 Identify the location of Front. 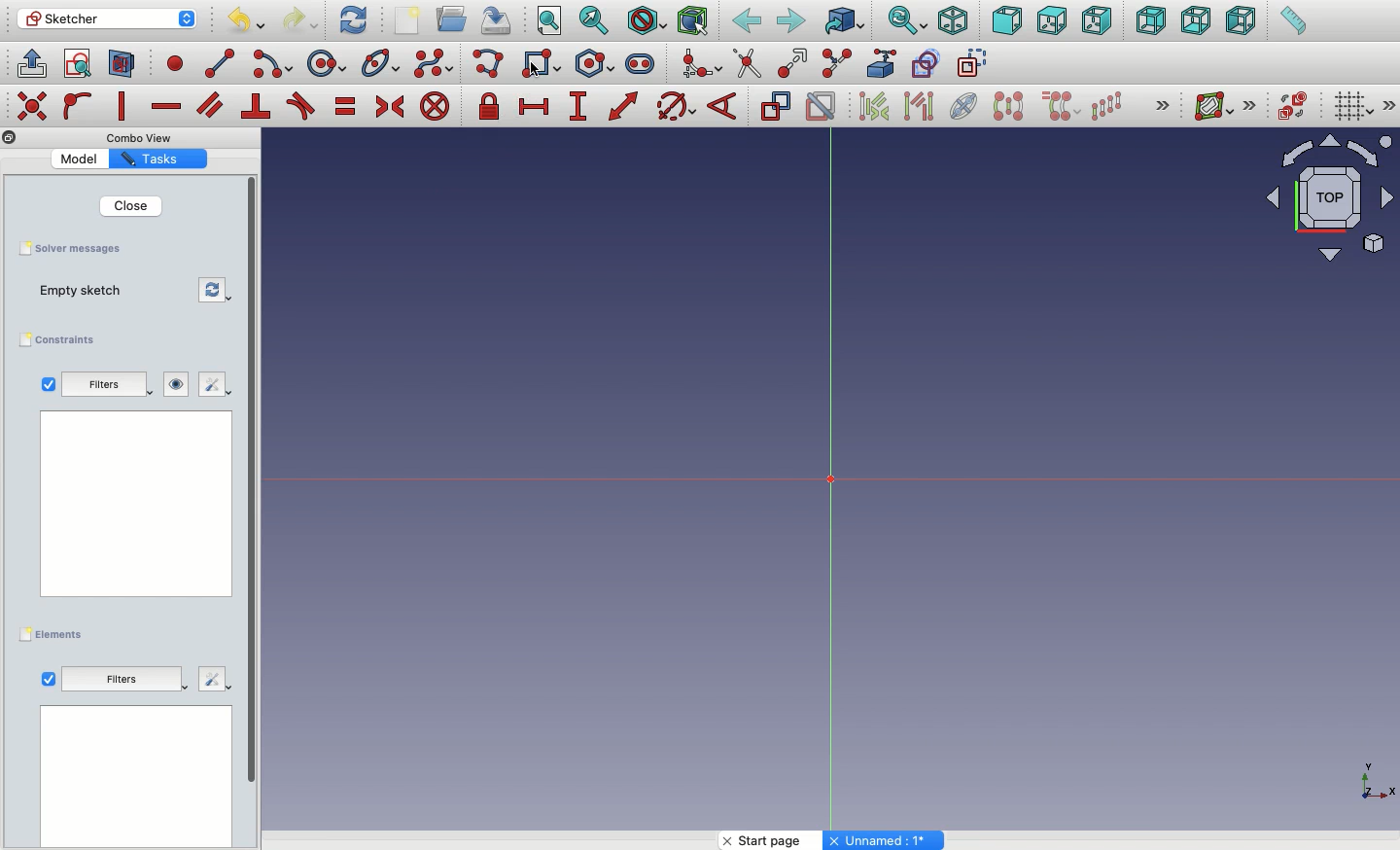
(1007, 22).